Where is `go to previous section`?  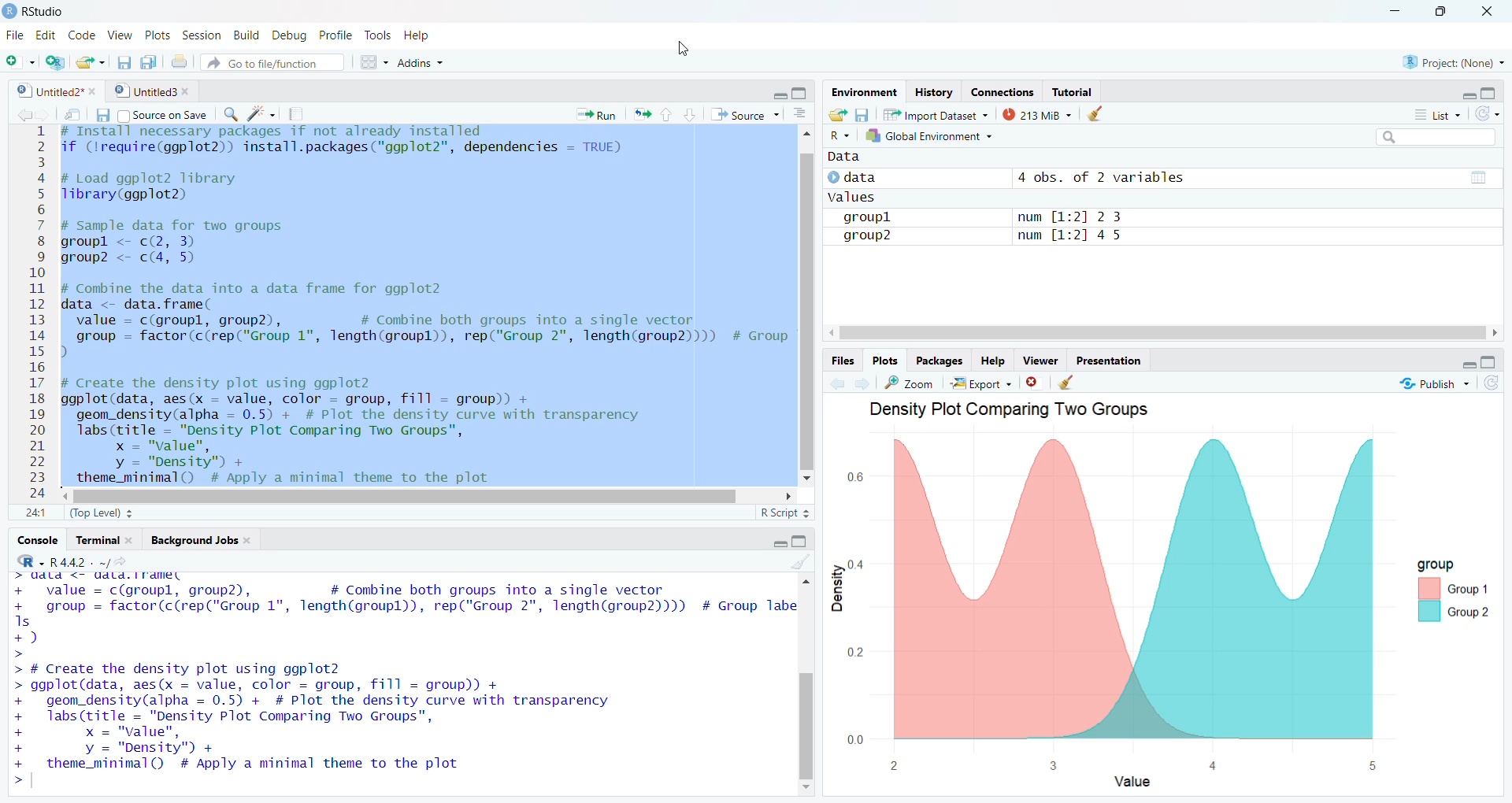
go to previous section is located at coordinates (668, 113).